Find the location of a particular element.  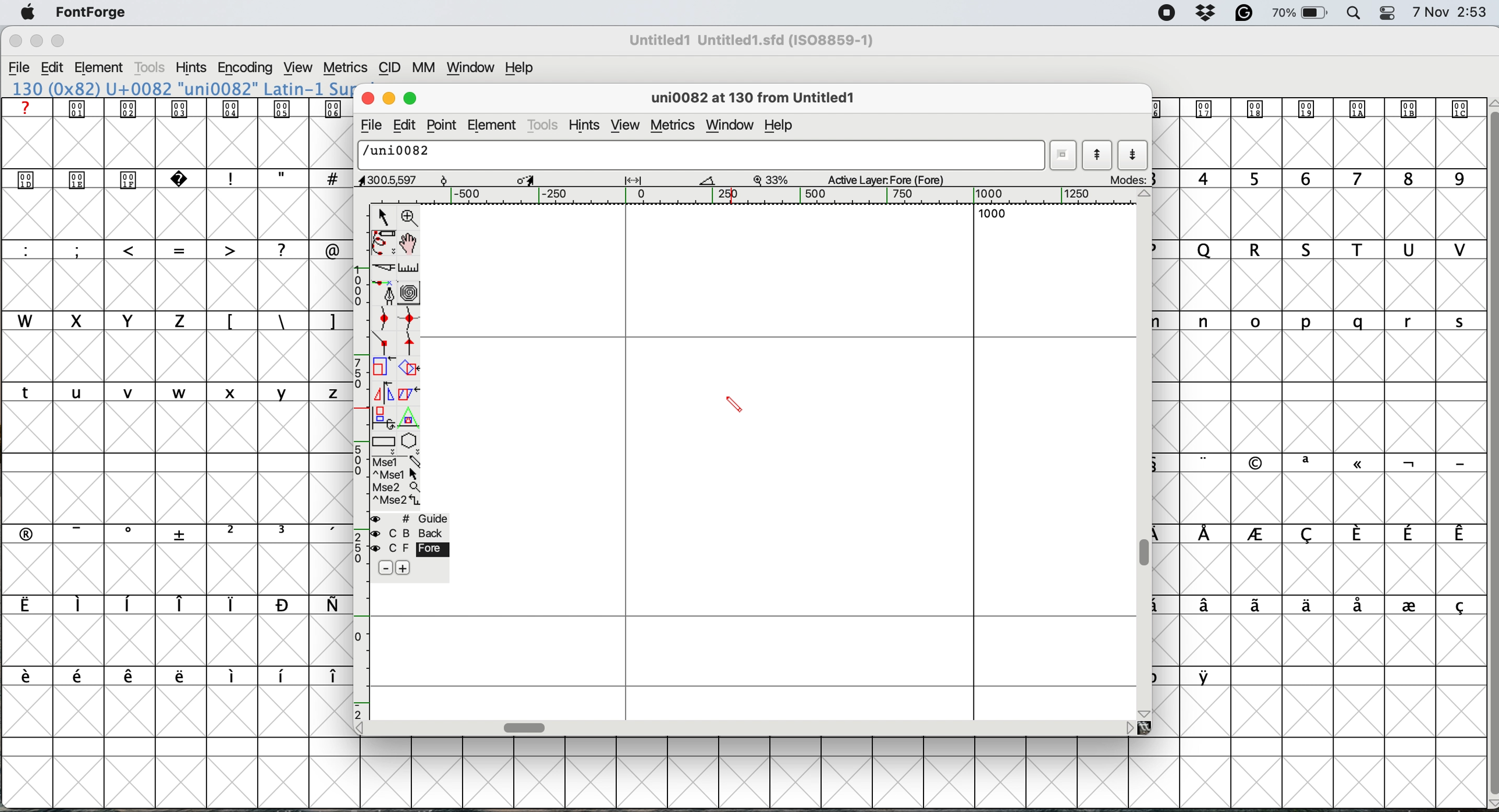

modes is located at coordinates (1129, 179).